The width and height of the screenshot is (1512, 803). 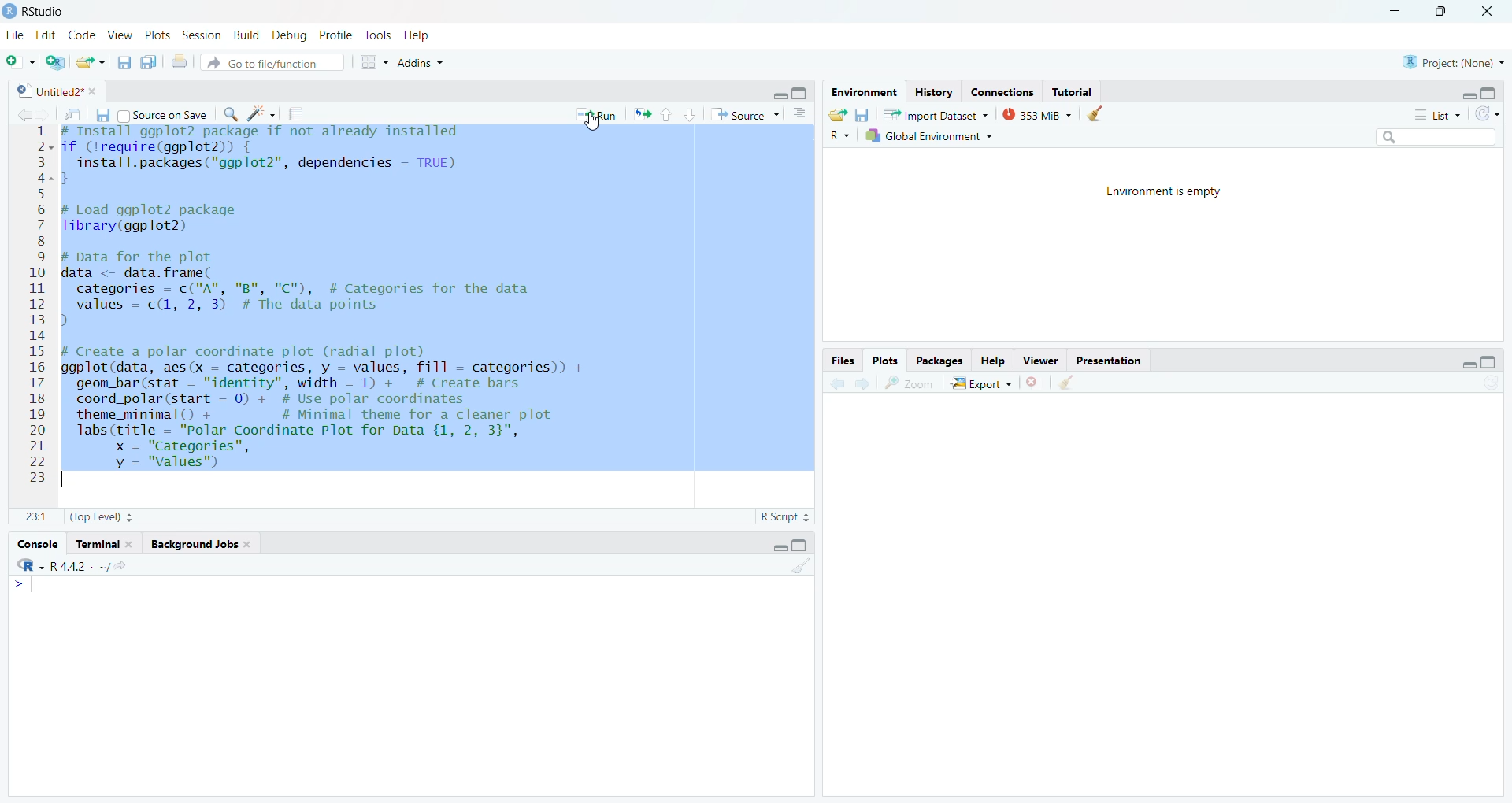 What do you see at coordinates (861, 91) in the screenshot?
I see `Environment` at bounding box center [861, 91].